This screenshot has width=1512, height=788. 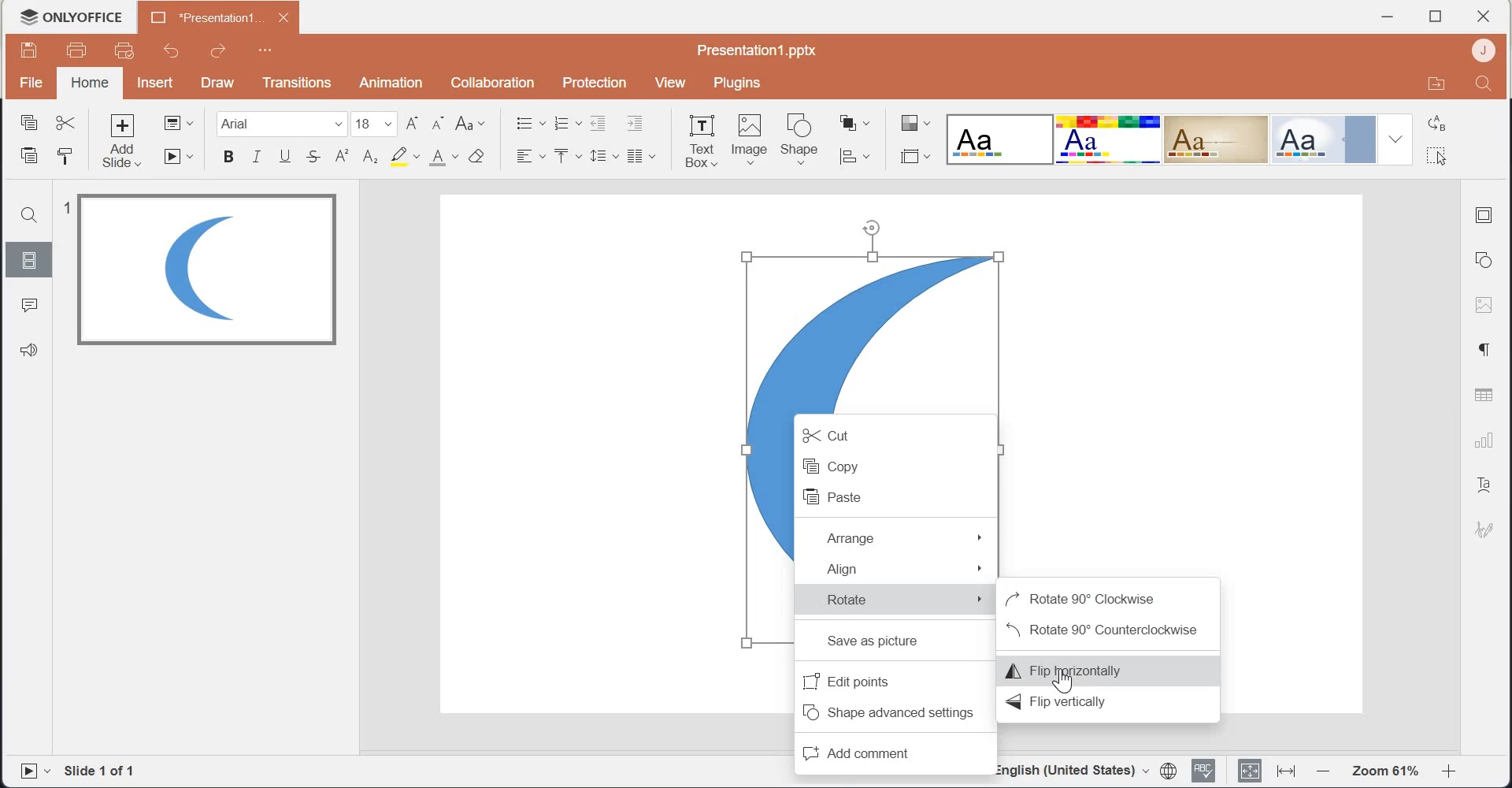 I want to click on Zoom in, so click(x=1455, y=772).